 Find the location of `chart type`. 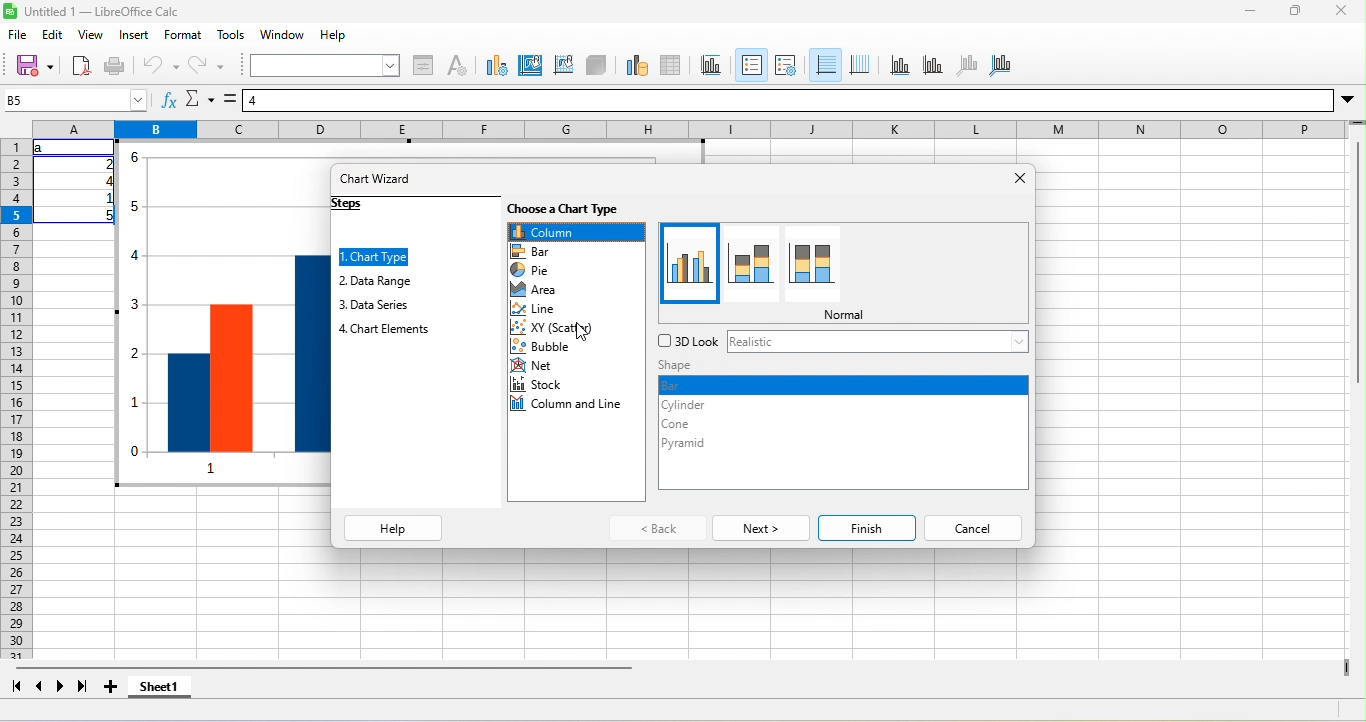

chart type is located at coordinates (497, 67).